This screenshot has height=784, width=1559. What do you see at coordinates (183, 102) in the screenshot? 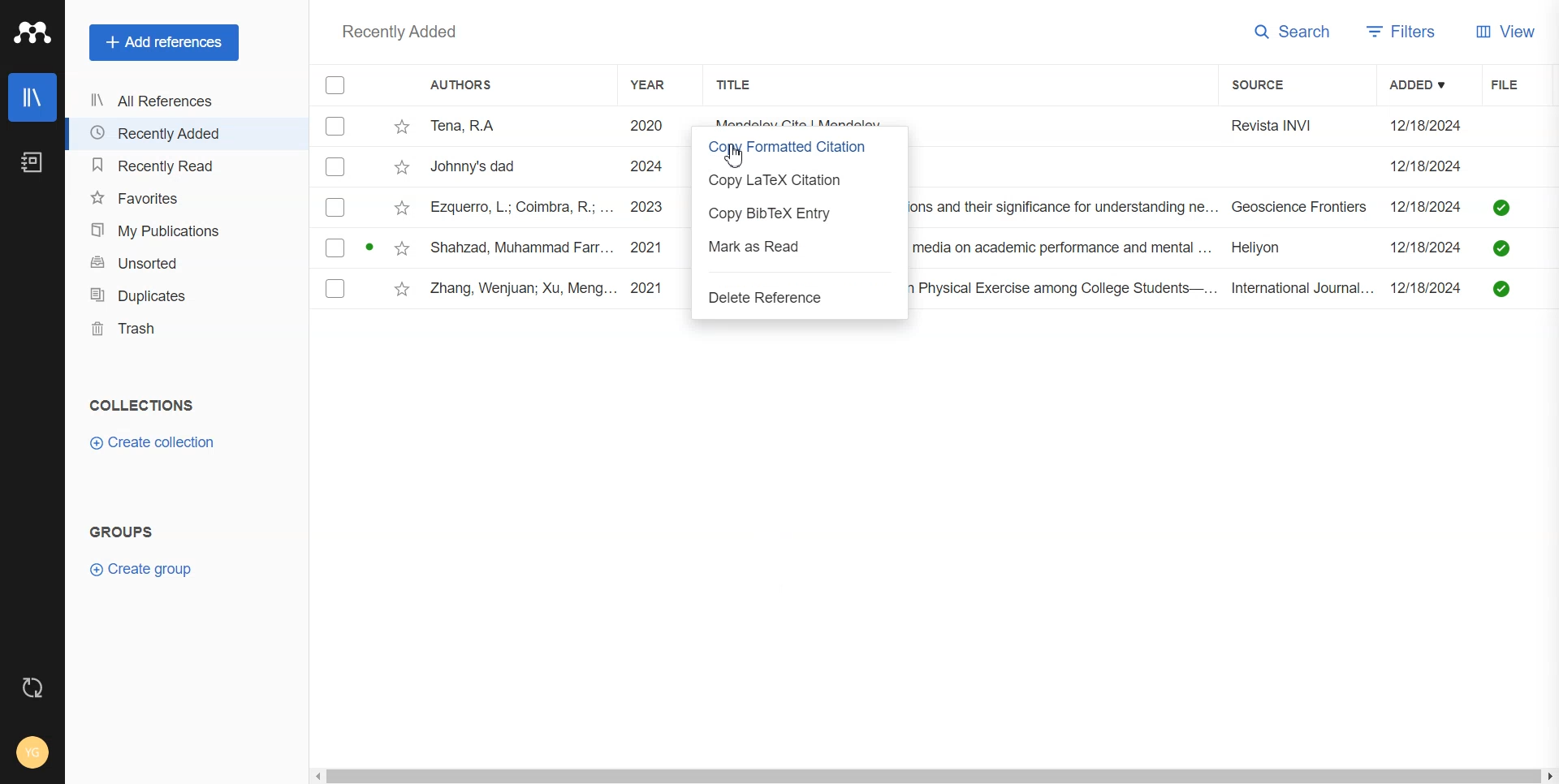
I see `All References` at bounding box center [183, 102].